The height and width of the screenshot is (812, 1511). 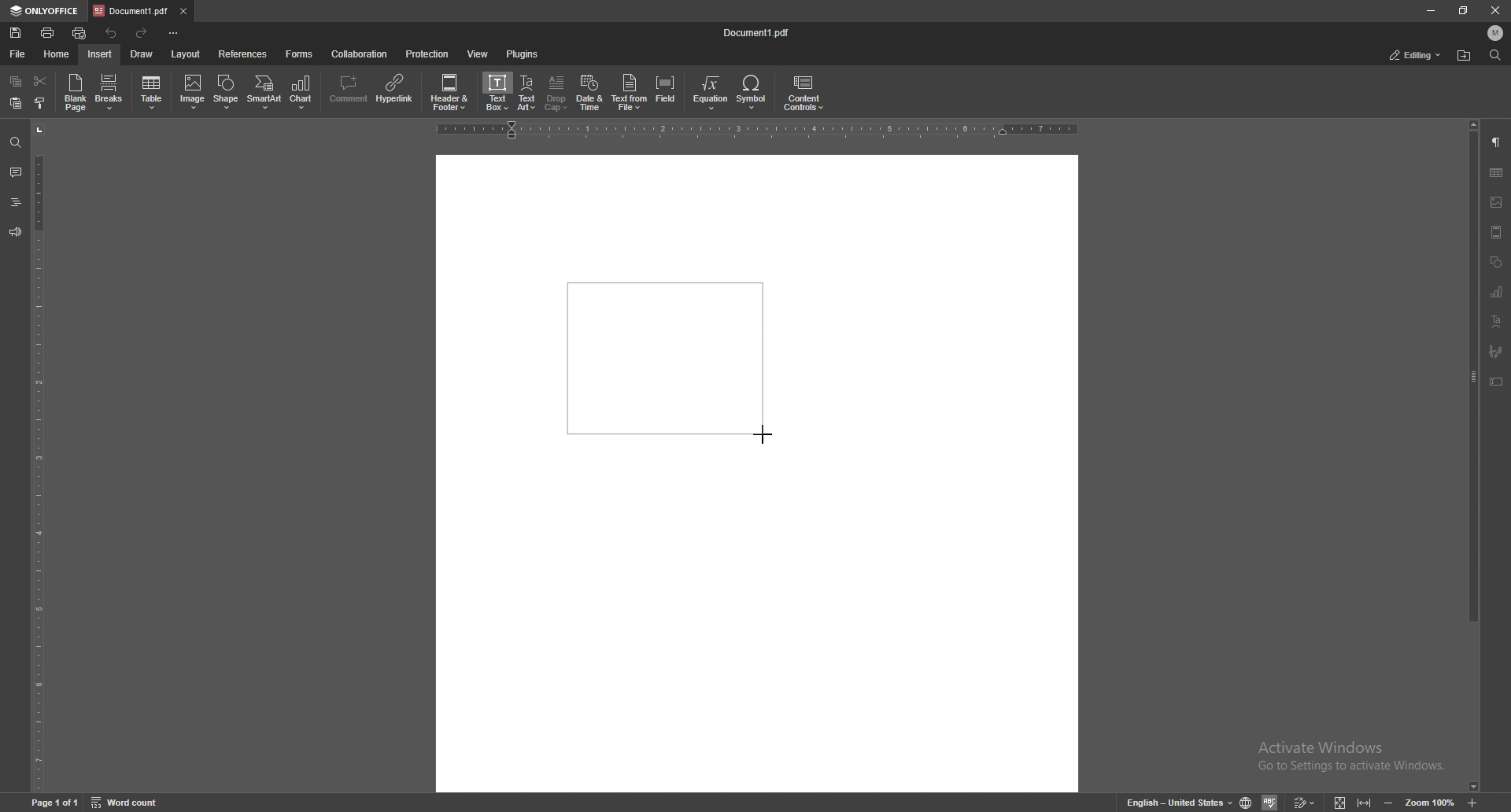 I want to click on drop cap, so click(x=556, y=92).